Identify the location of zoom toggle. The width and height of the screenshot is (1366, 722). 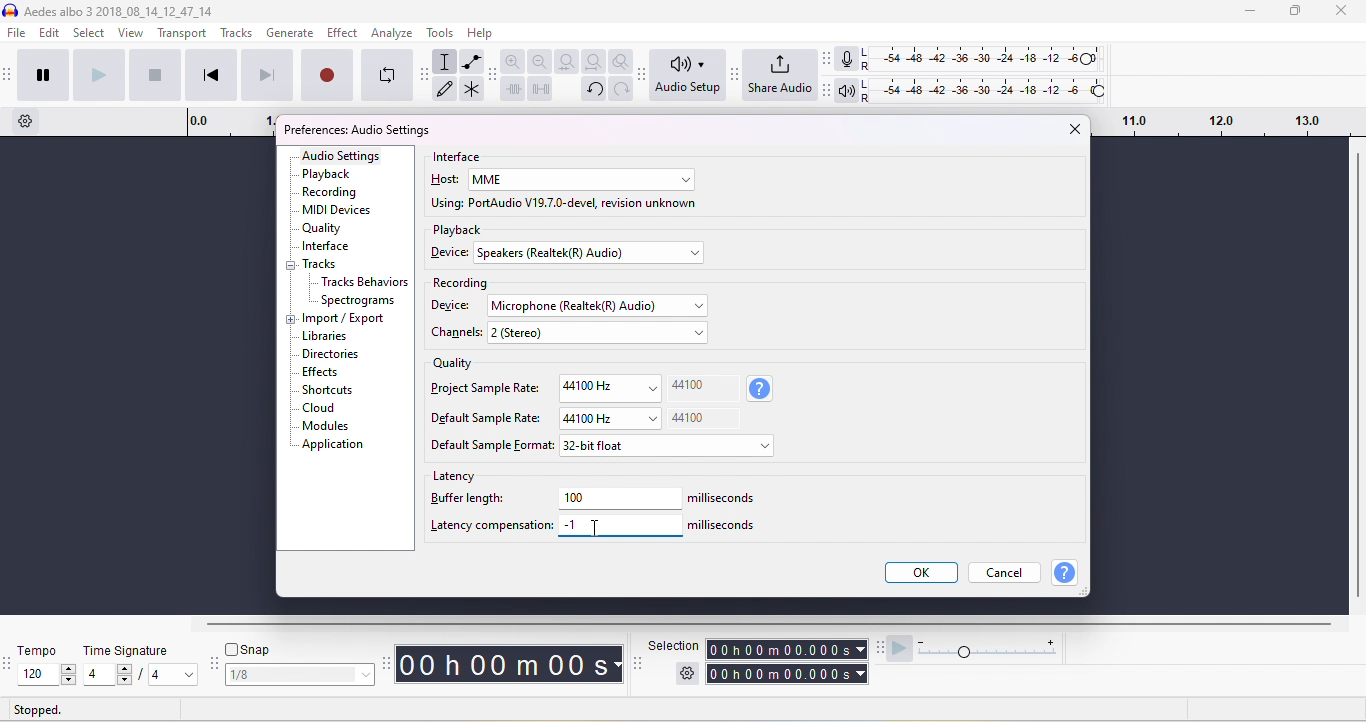
(622, 61).